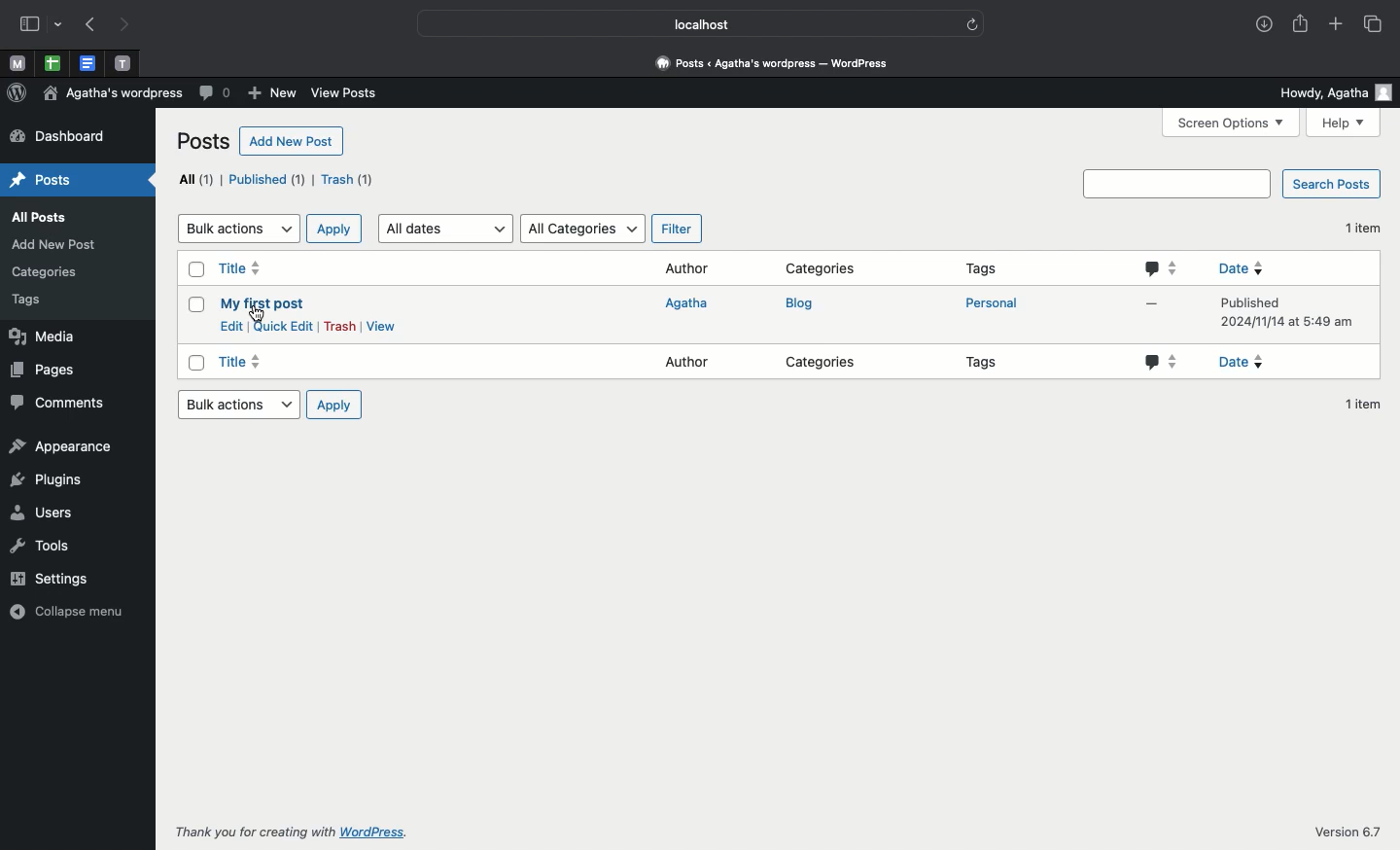  What do you see at coordinates (687, 24) in the screenshot?
I see `Localhost` at bounding box center [687, 24].